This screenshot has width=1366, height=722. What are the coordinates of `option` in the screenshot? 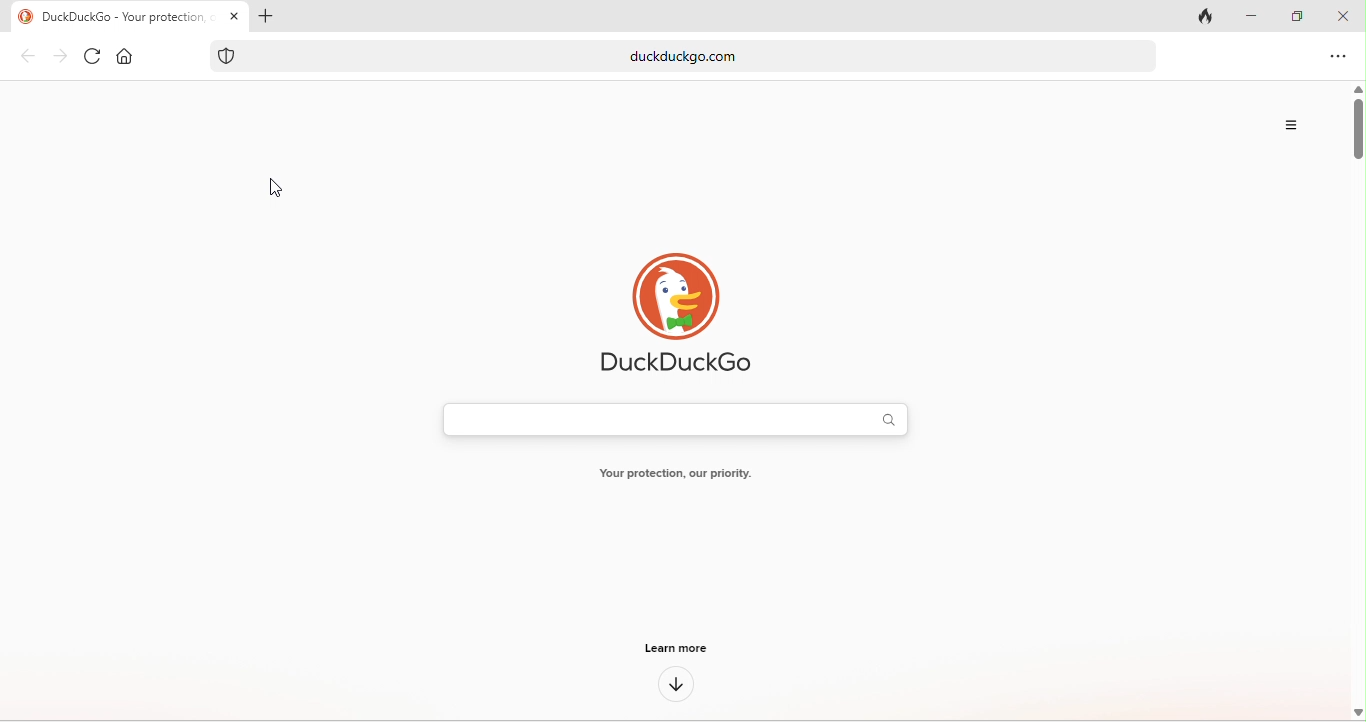 It's located at (1294, 125).